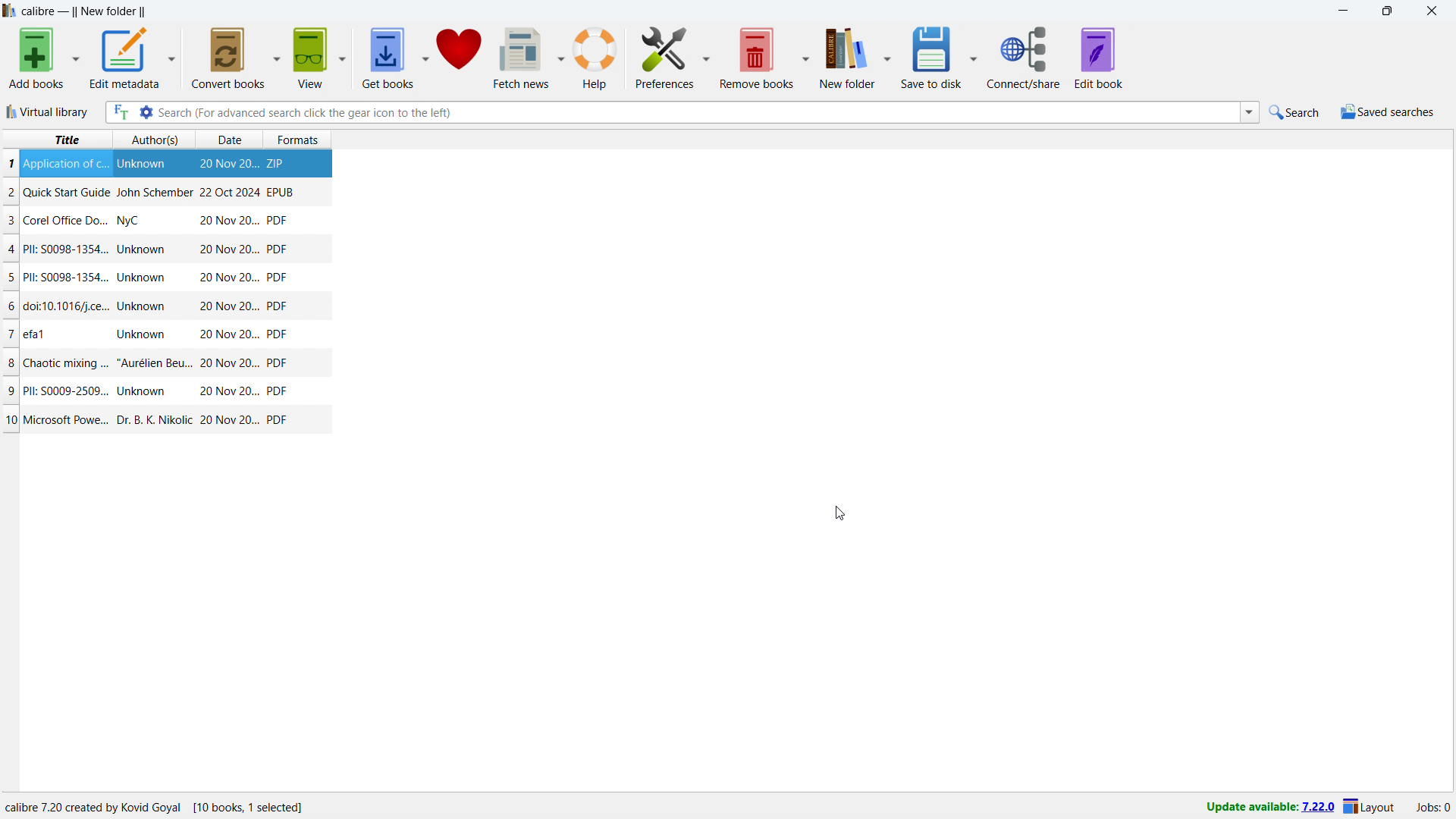  I want to click on PDF, so click(277, 391).